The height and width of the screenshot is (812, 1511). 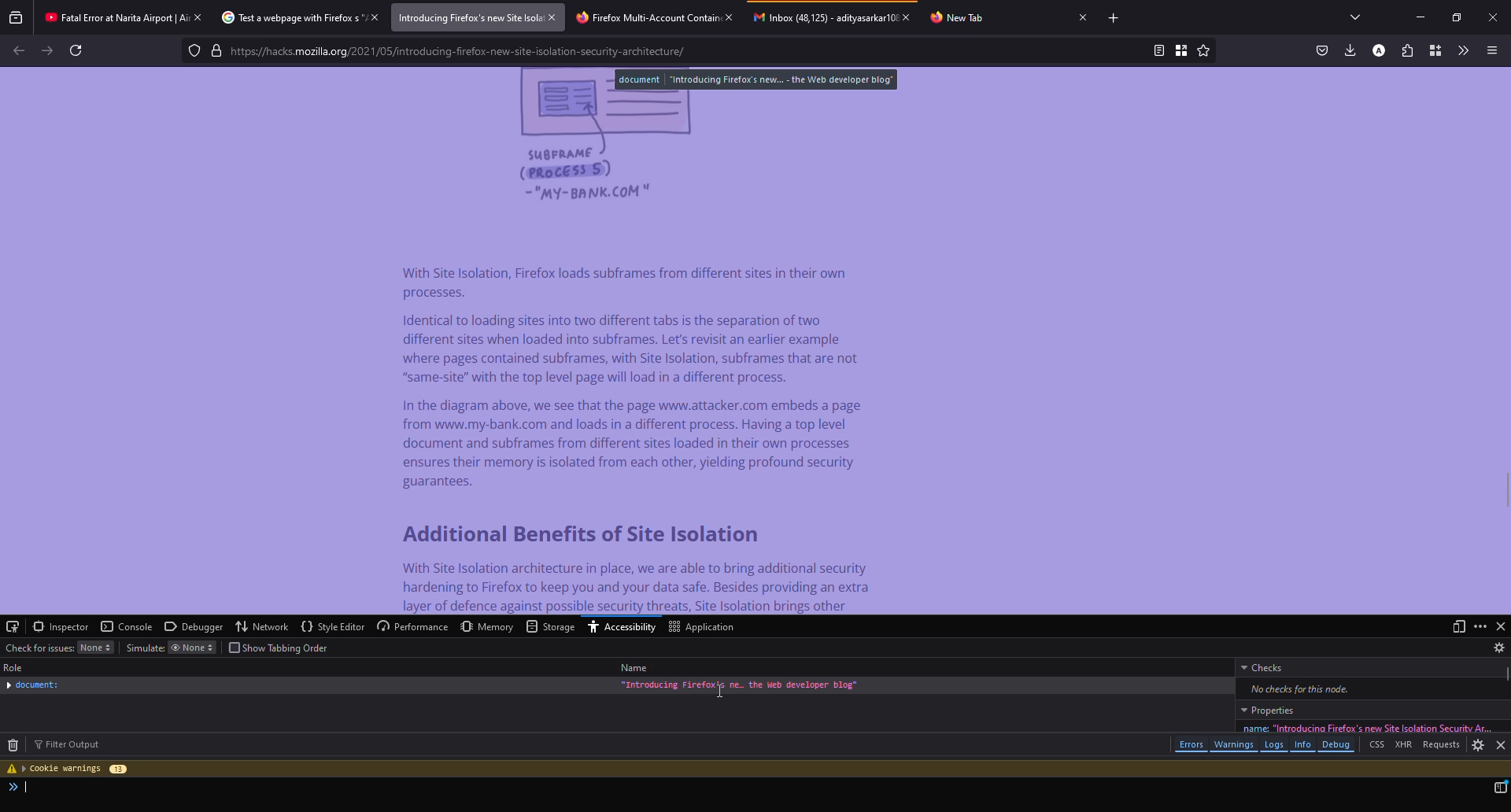 What do you see at coordinates (1508, 677) in the screenshot?
I see `scroll bar` at bounding box center [1508, 677].